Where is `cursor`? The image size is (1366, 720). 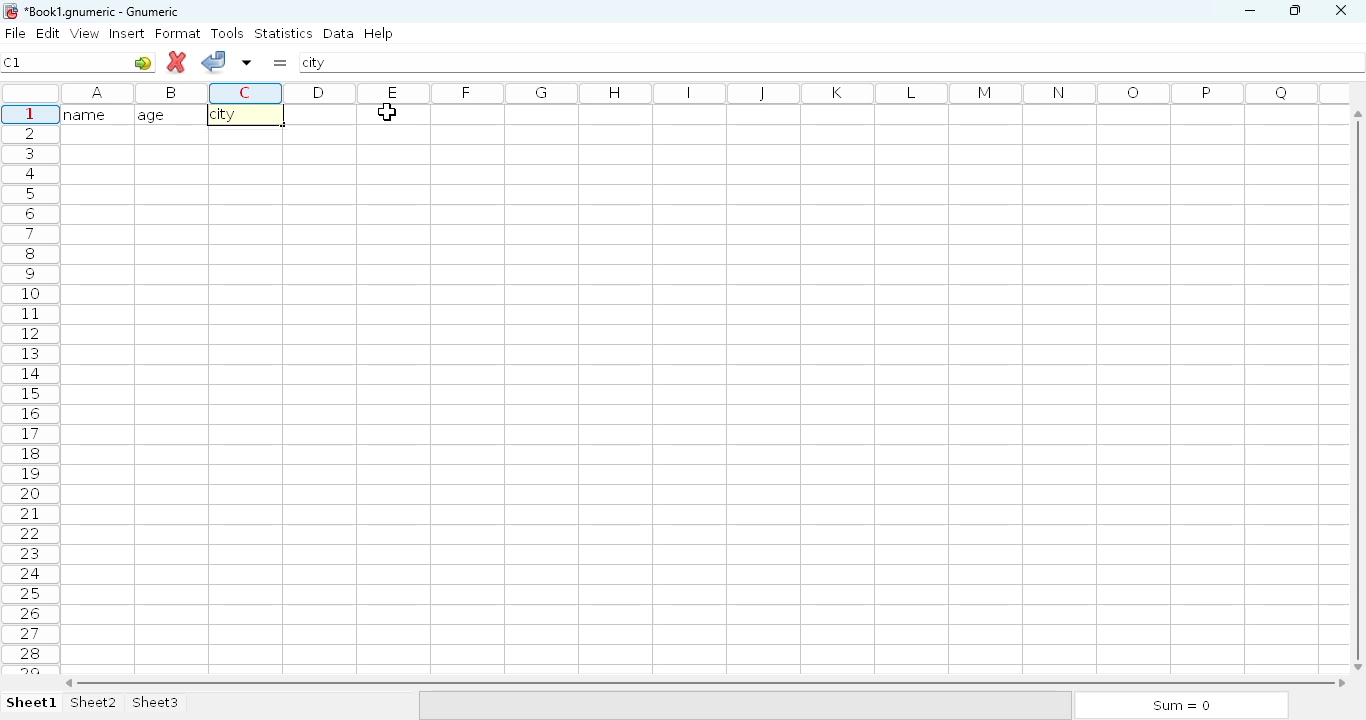
cursor is located at coordinates (388, 112).